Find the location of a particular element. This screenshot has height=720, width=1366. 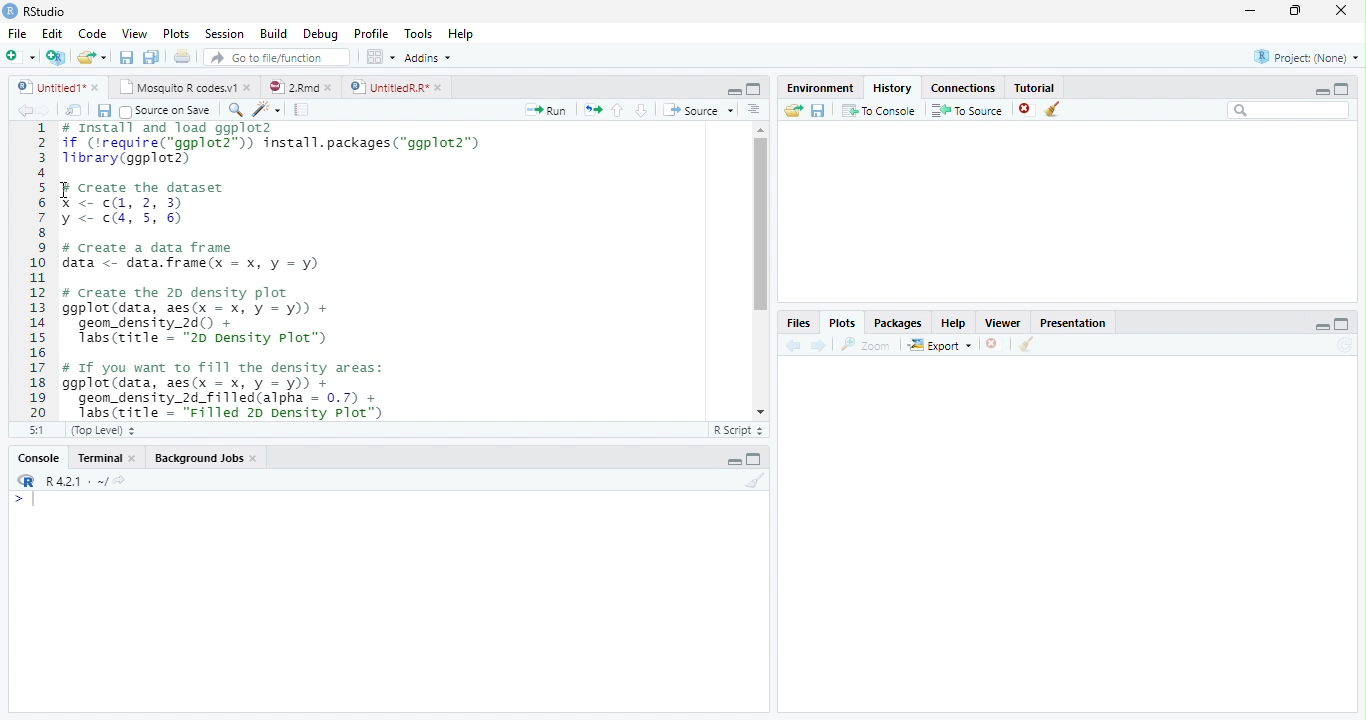

Project: (None) is located at coordinates (1305, 57).